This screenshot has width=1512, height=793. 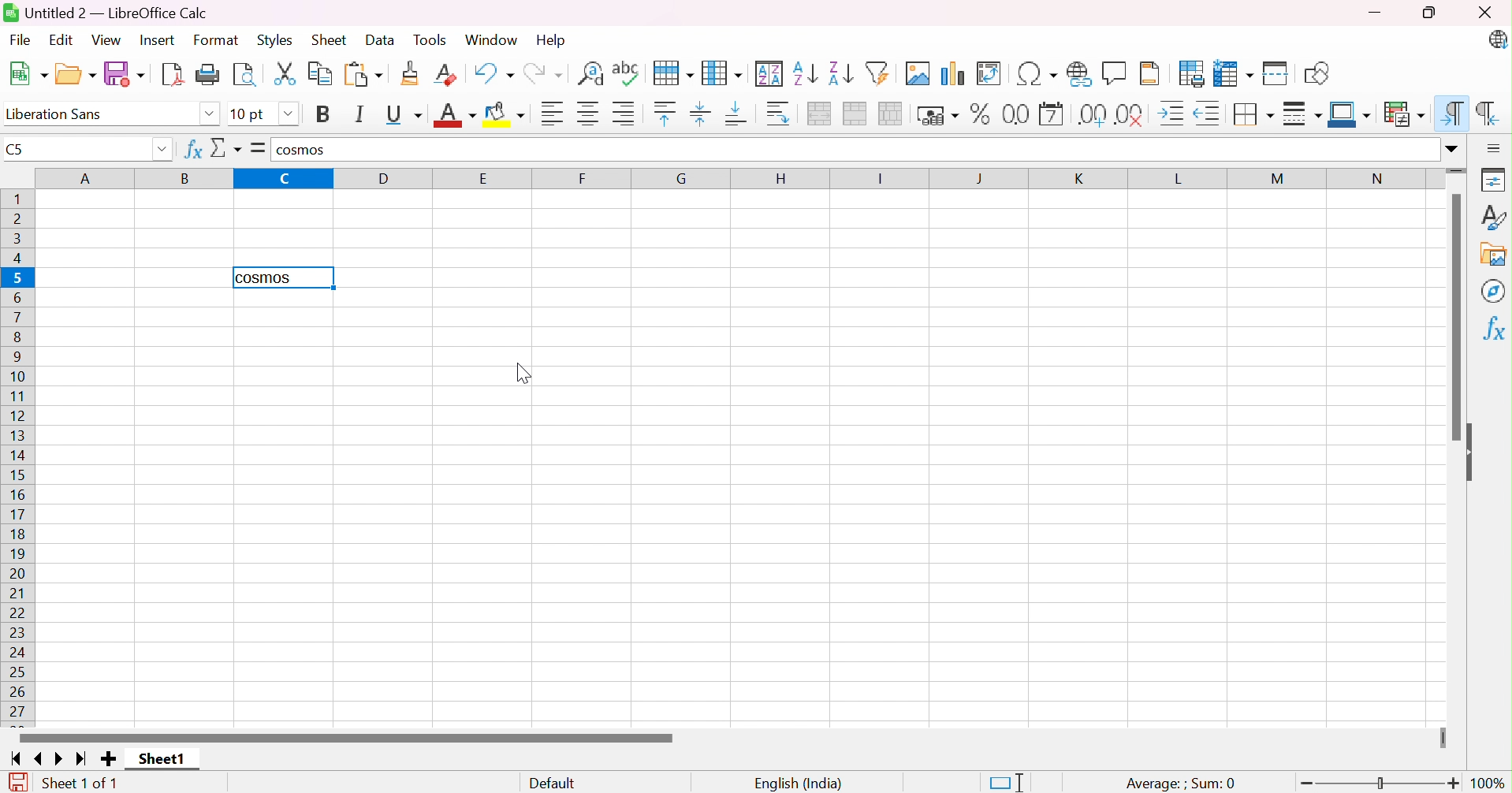 I want to click on Sheet, so click(x=332, y=39).